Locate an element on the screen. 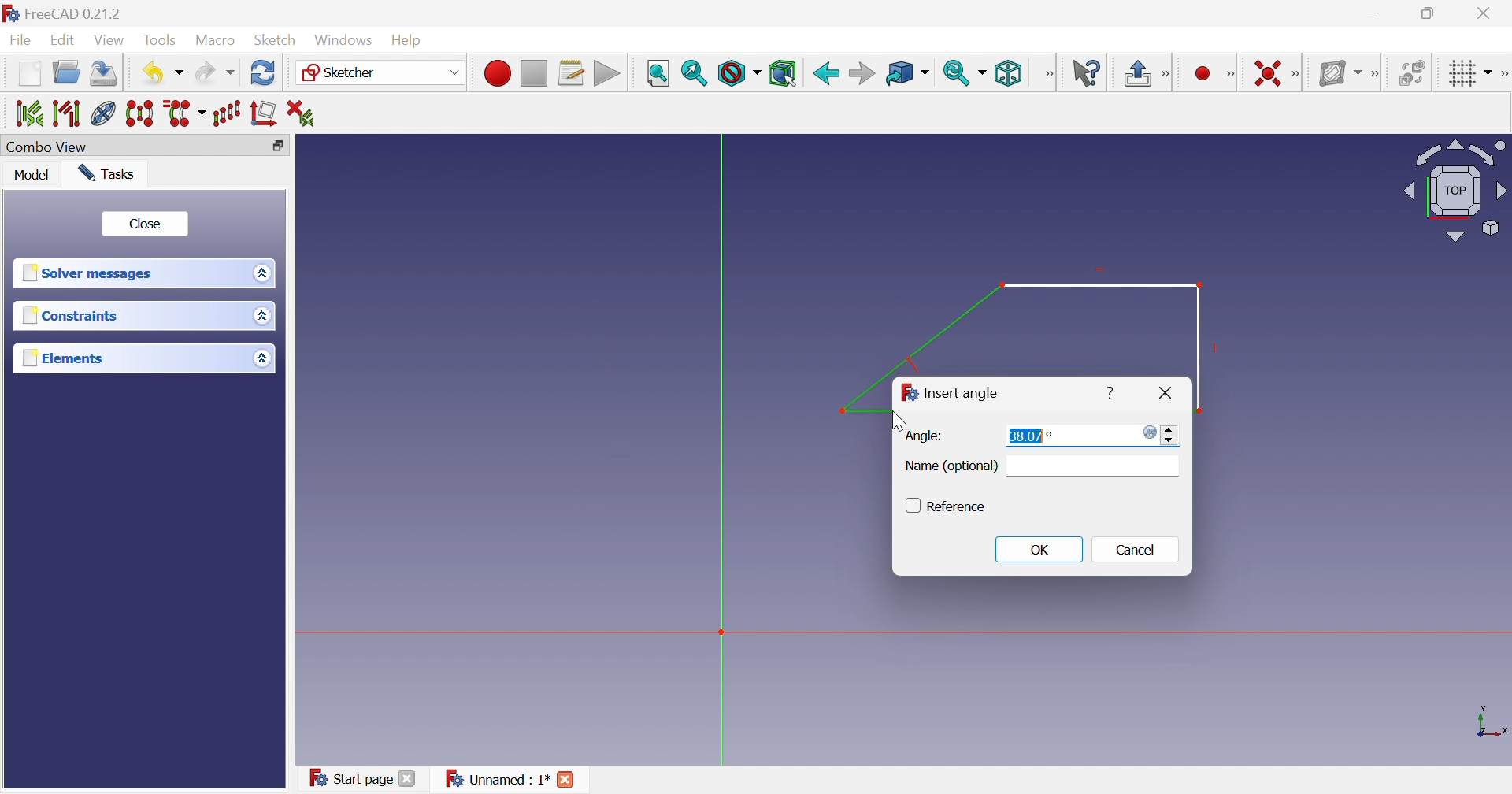 The width and height of the screenshot is (1512, 794). Drop Down is located at coordinates (985, 72).